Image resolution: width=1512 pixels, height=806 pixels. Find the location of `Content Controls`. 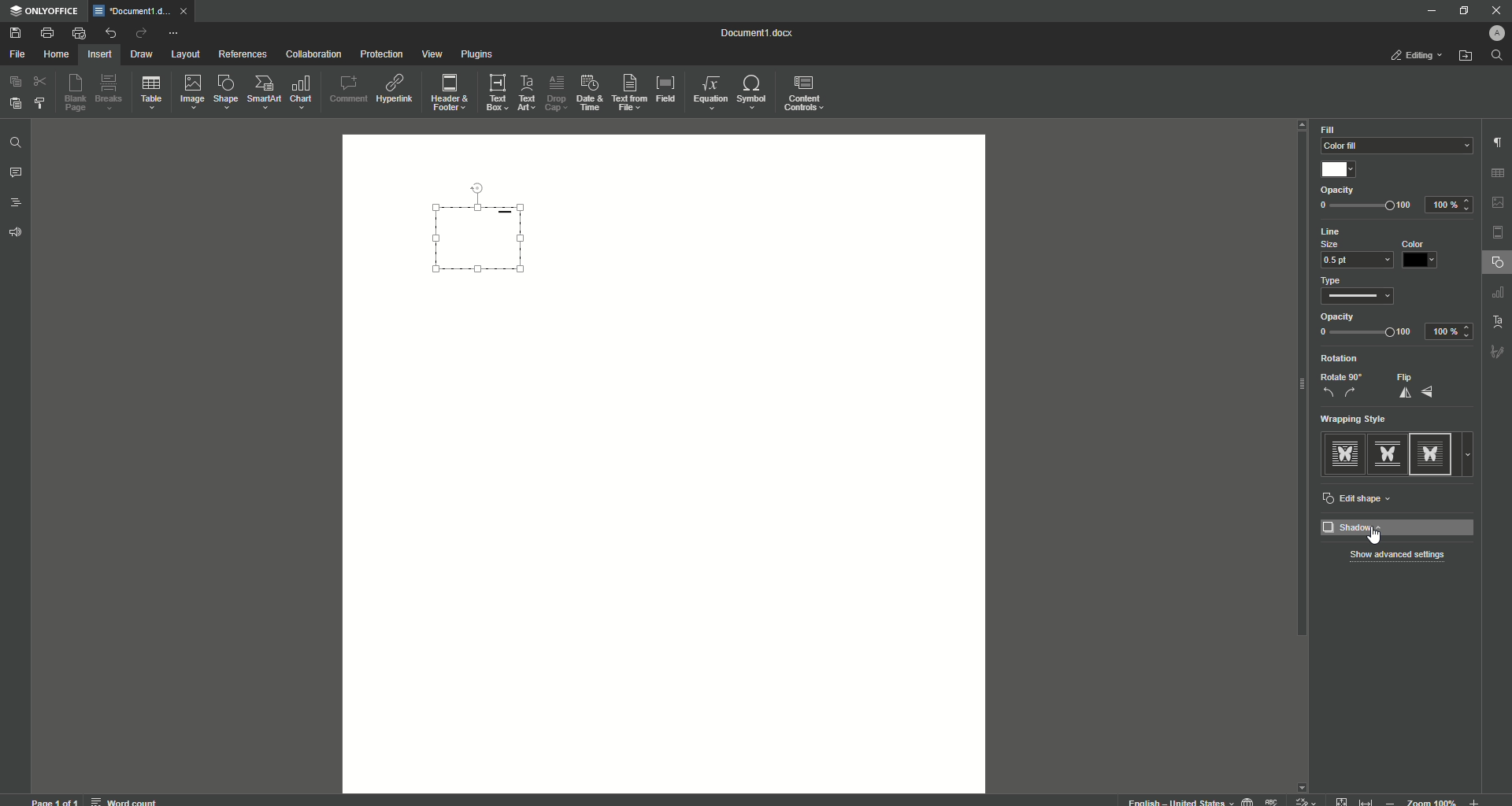

Content Controls is located at coordinates (806, 95).